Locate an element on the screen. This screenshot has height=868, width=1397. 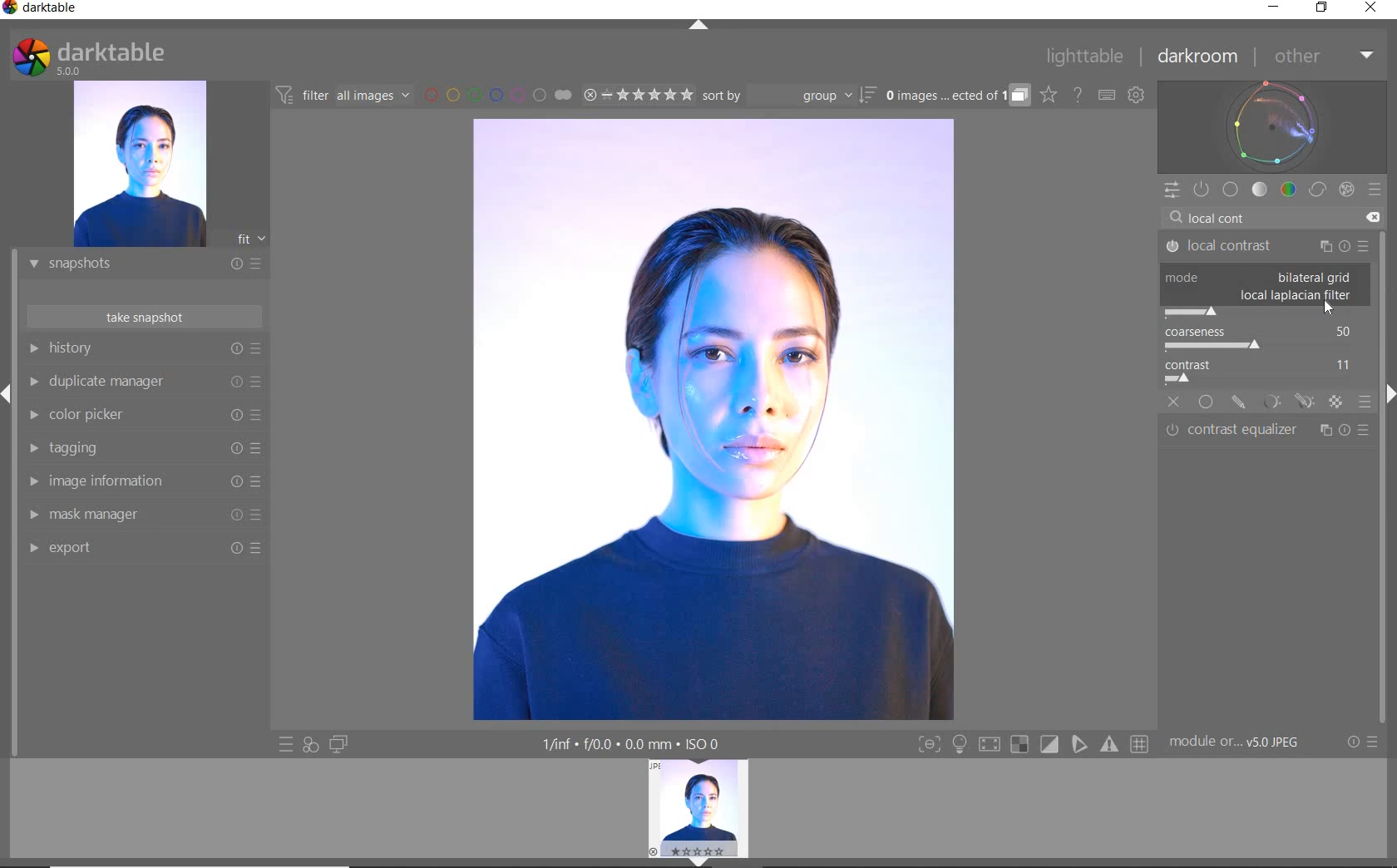
RESTORE is located at coordinates (1325, 8).